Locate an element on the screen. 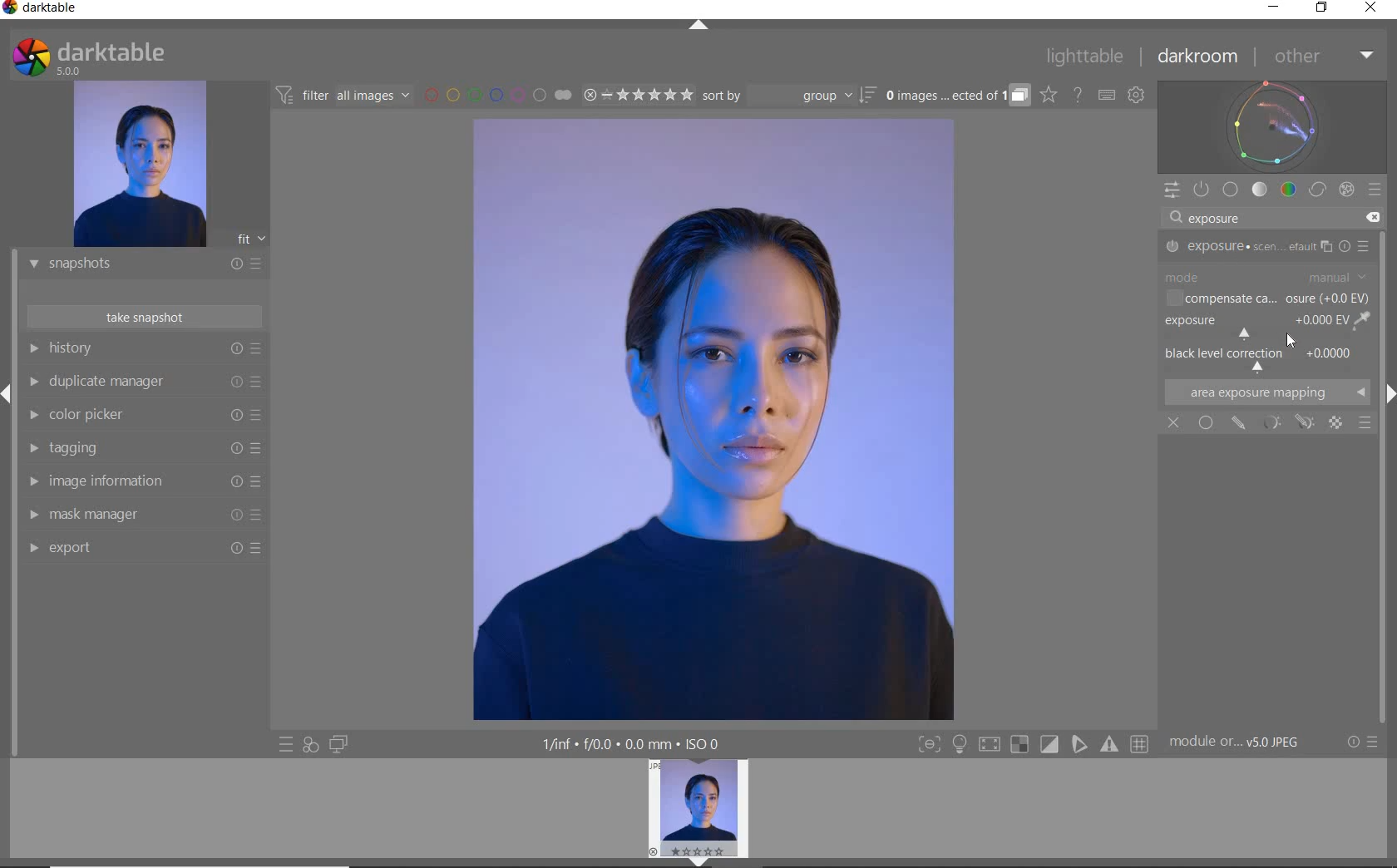 The image size is (1397, 868). EXPAND GROUPED IMAGES is located at coordinates (957, 96).